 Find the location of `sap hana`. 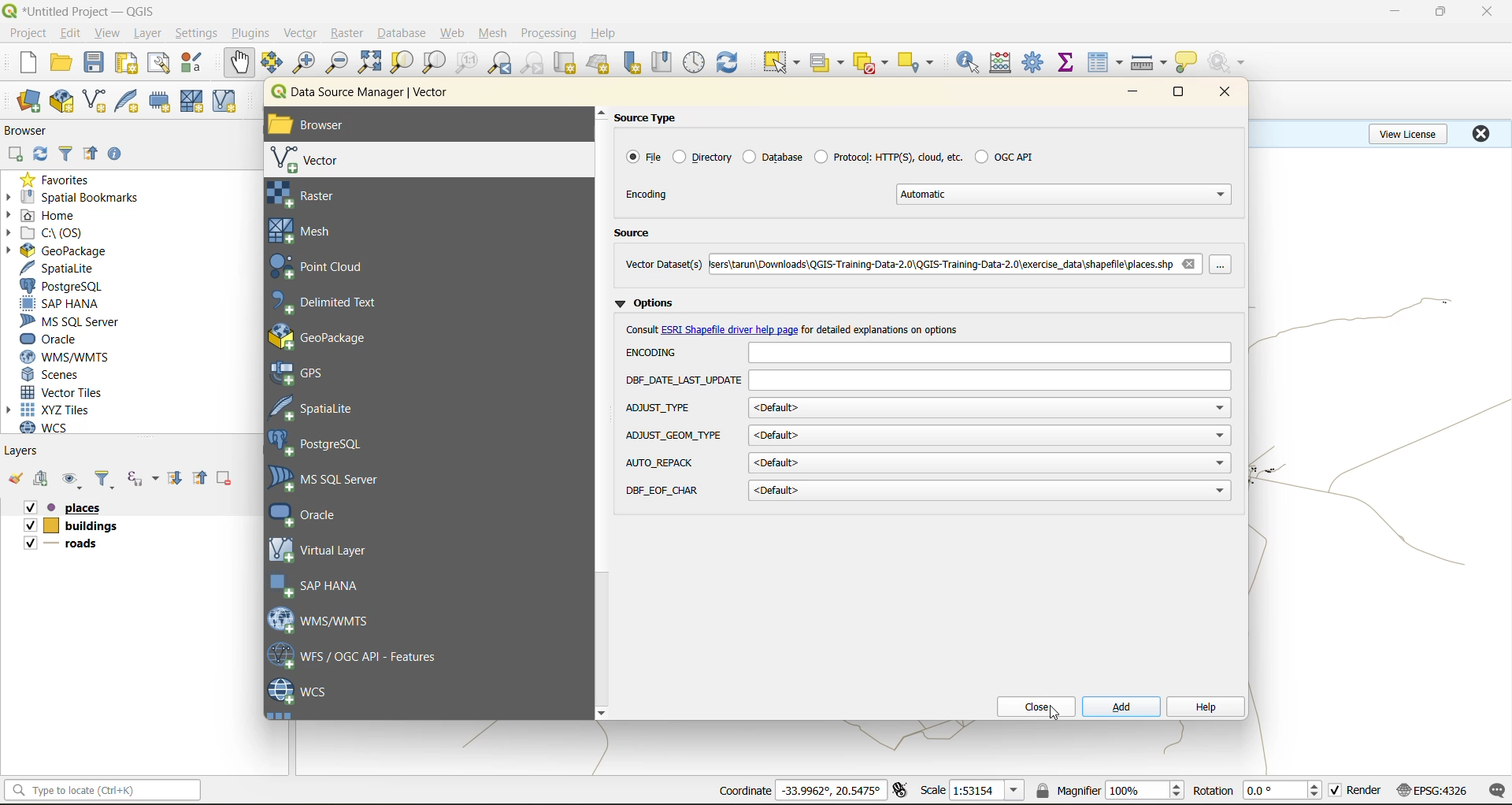

sap hana is located at coordinates (61, 304).